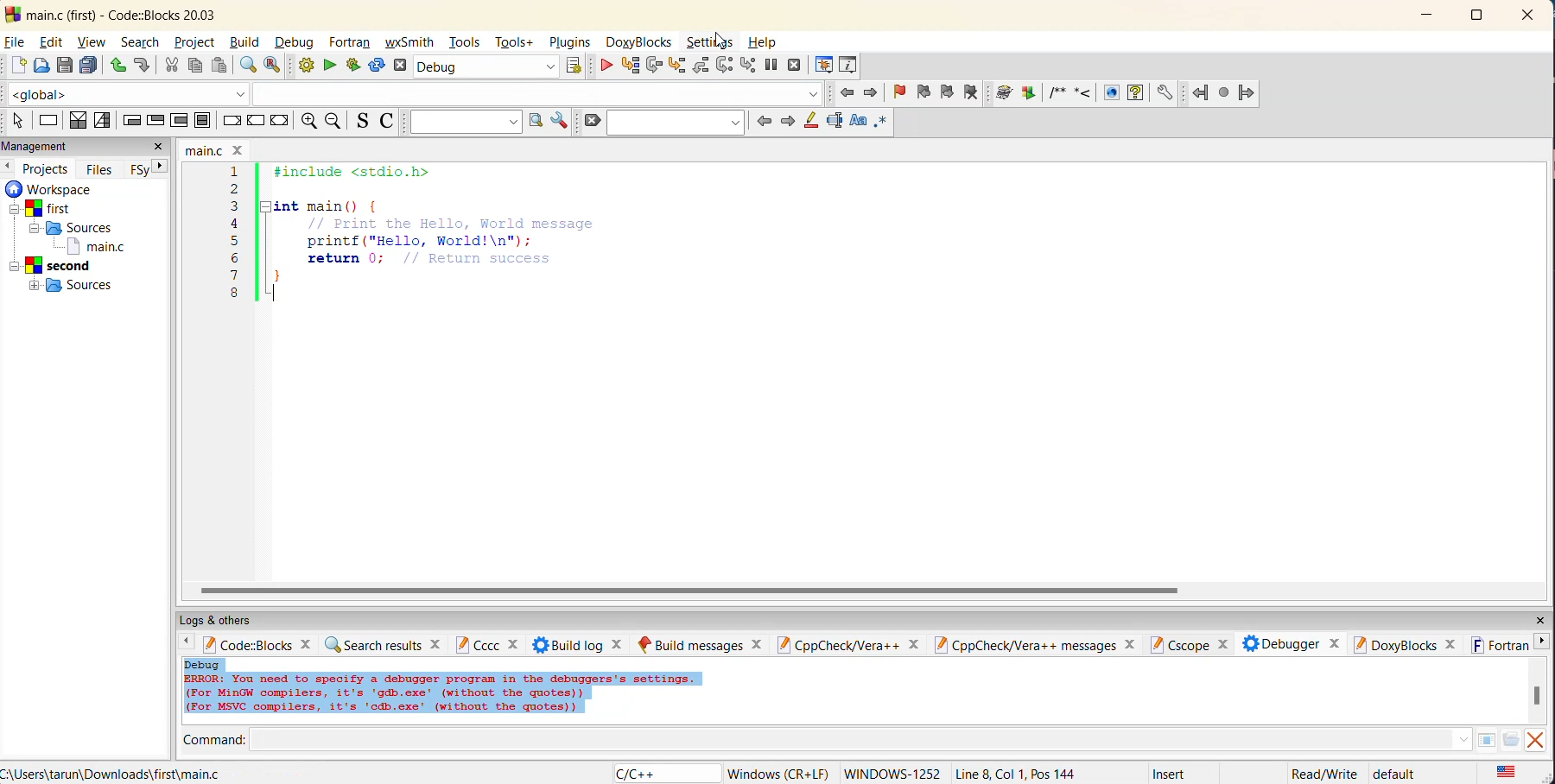 The height and width of the screenshot is (784, 1555). I want to click on continue instruction, so click(254, 121).